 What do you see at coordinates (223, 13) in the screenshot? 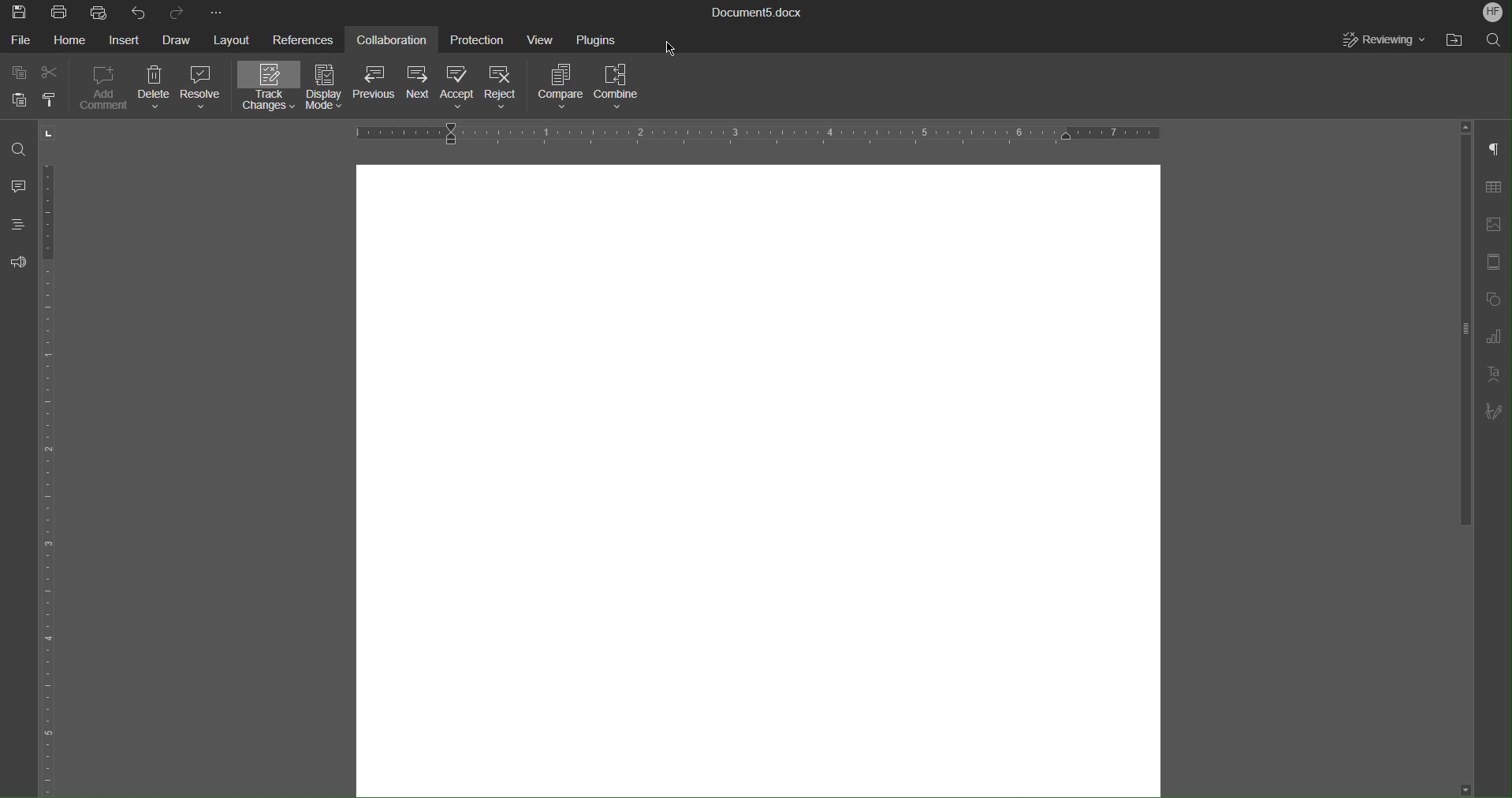
I see `More` at bounding box center [223, 13].